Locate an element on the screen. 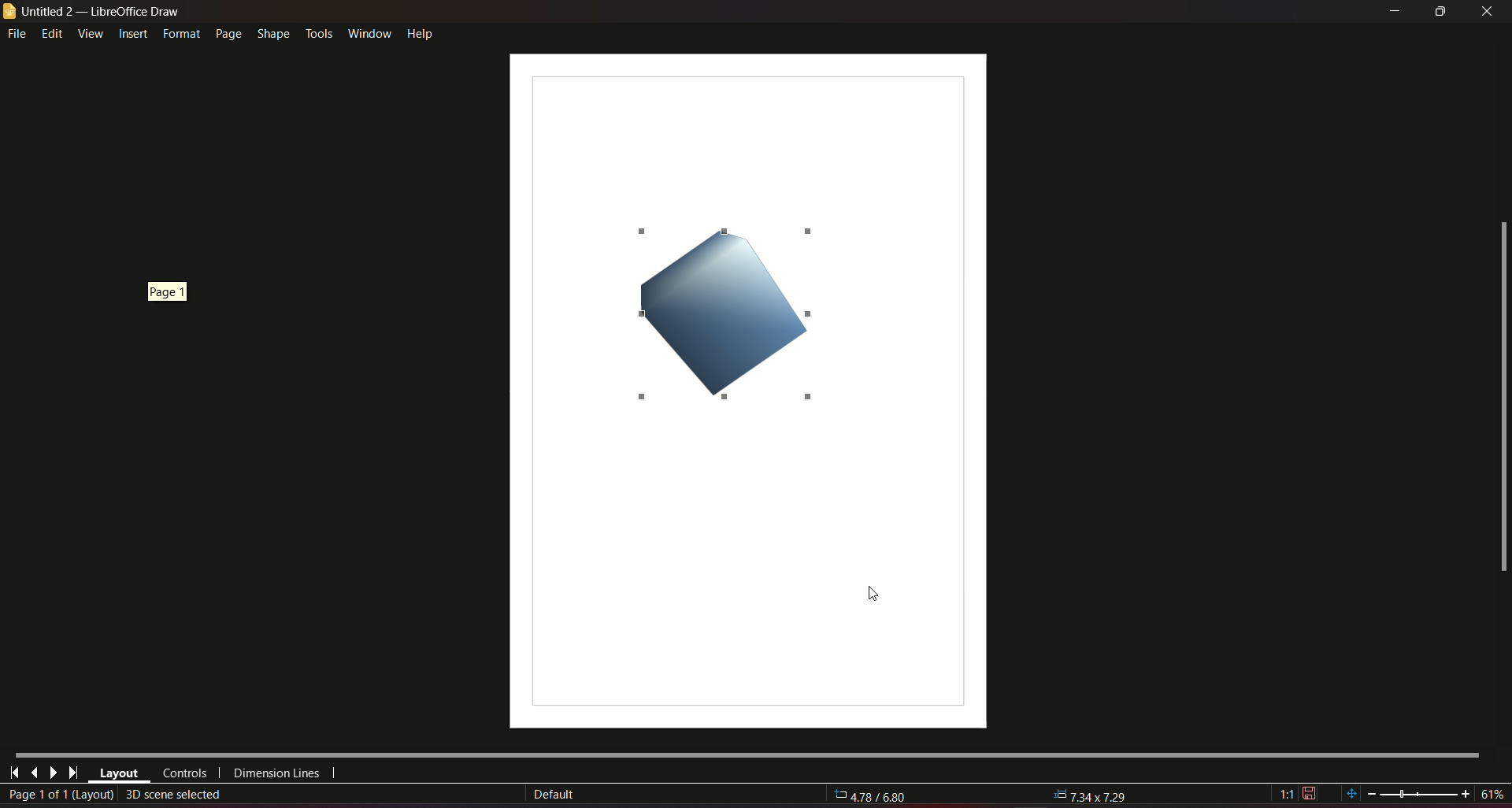 Image resolution: width=1512 pixels, height=808 pixels. edit is located at coordinates (53, 33).